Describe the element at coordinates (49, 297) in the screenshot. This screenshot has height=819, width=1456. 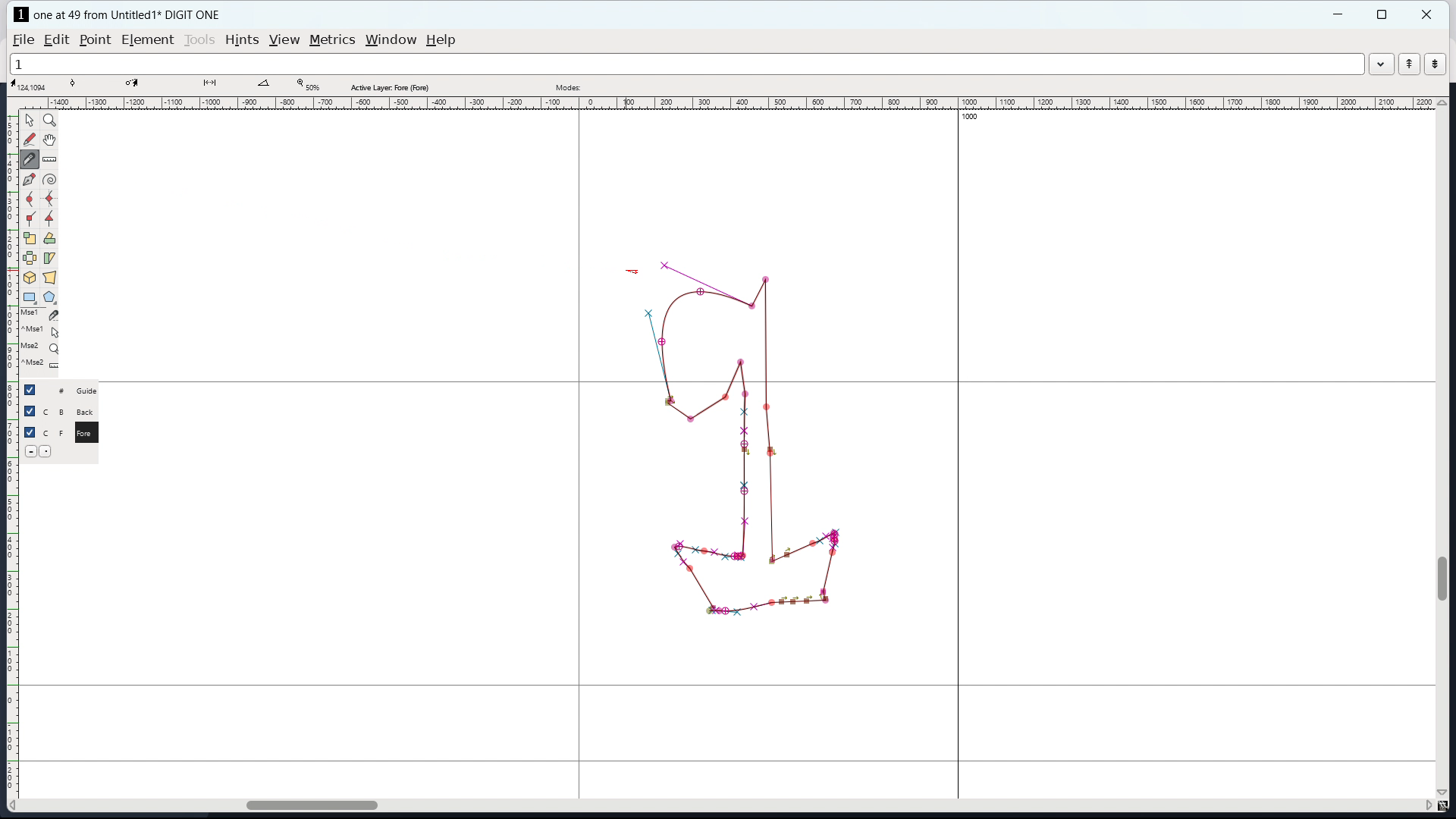
I see `polygon or star` at that location.